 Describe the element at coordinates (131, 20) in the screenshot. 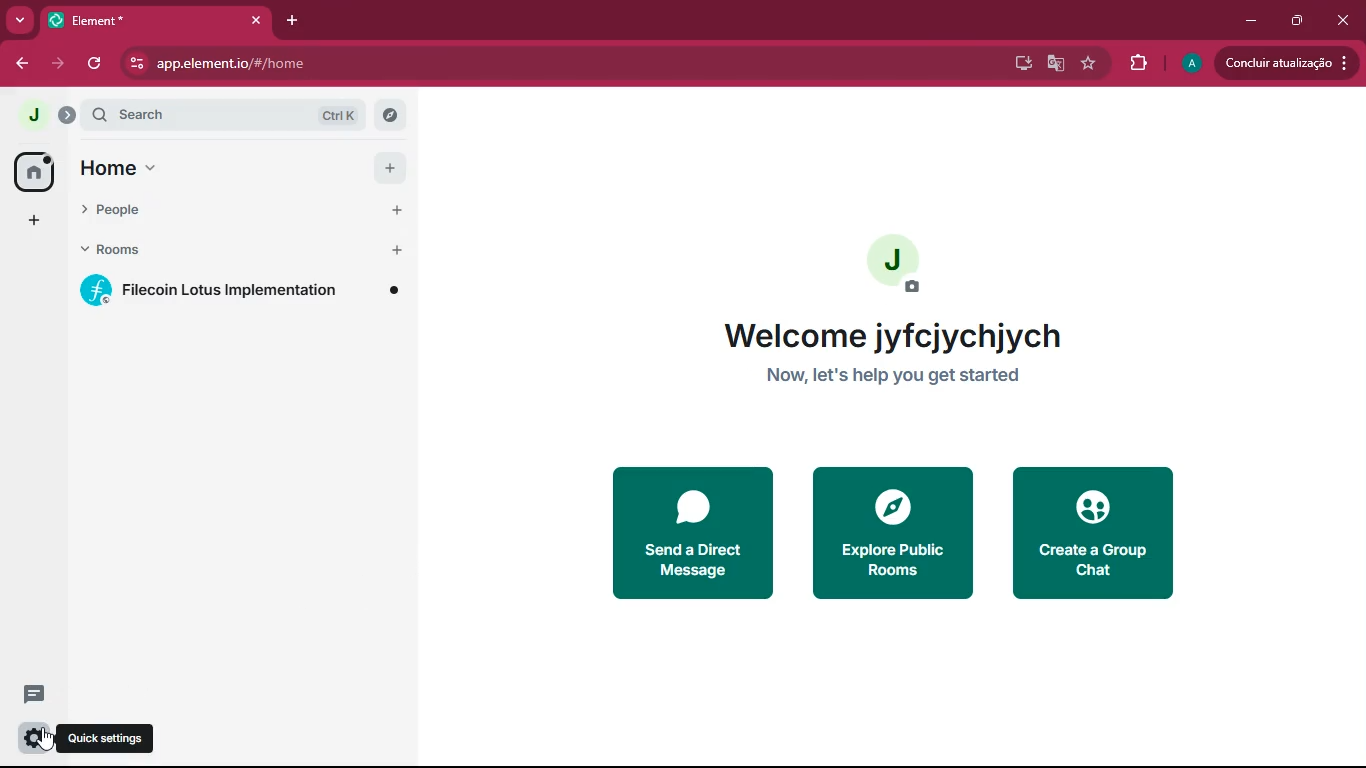

I see `element*` at that location.